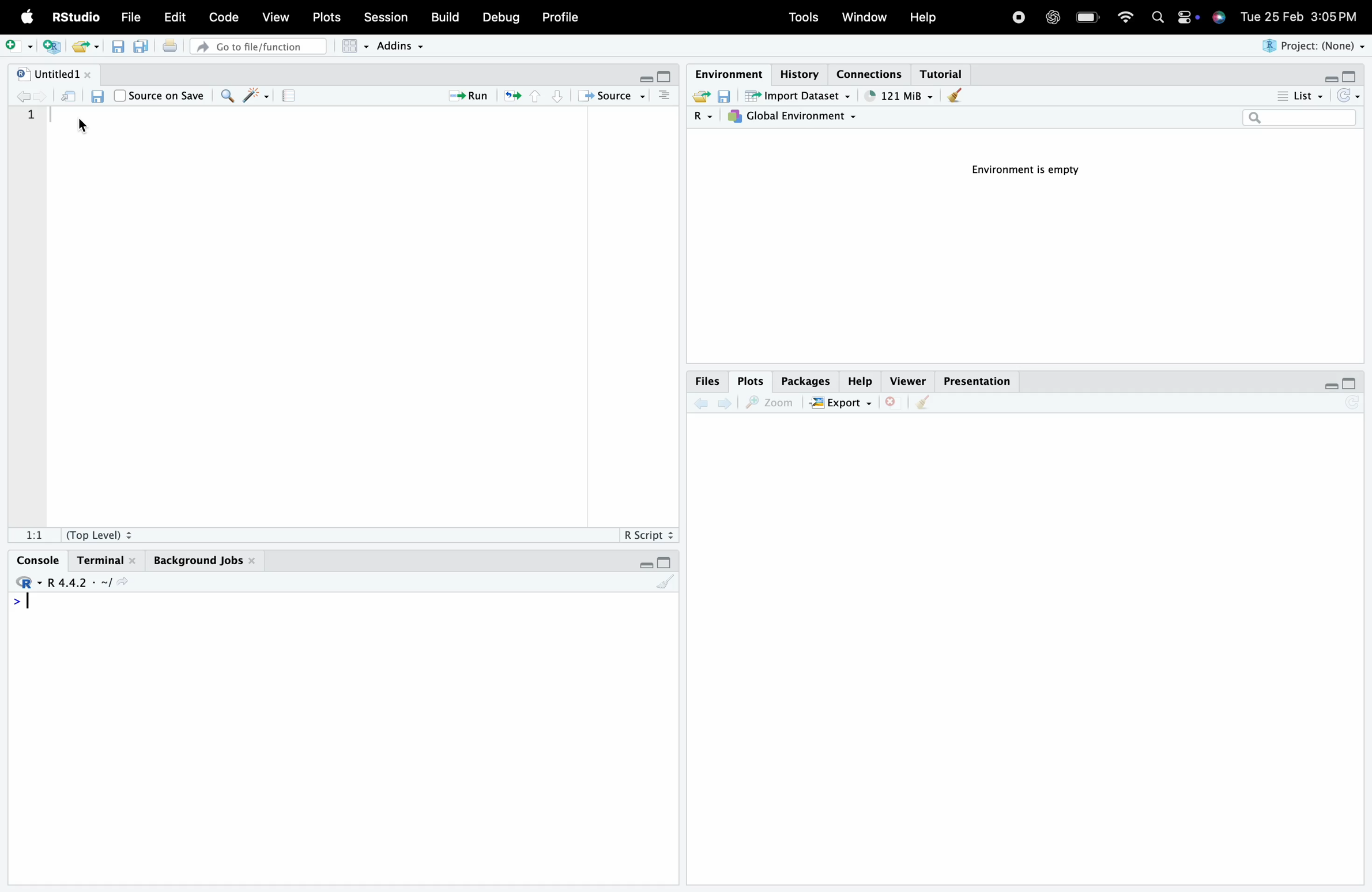 Image resolution: width=1372 pixels, height=892 pixels. Describe the element at coordinates (401, 44) in the screenshot. I see `Addins` at that location.